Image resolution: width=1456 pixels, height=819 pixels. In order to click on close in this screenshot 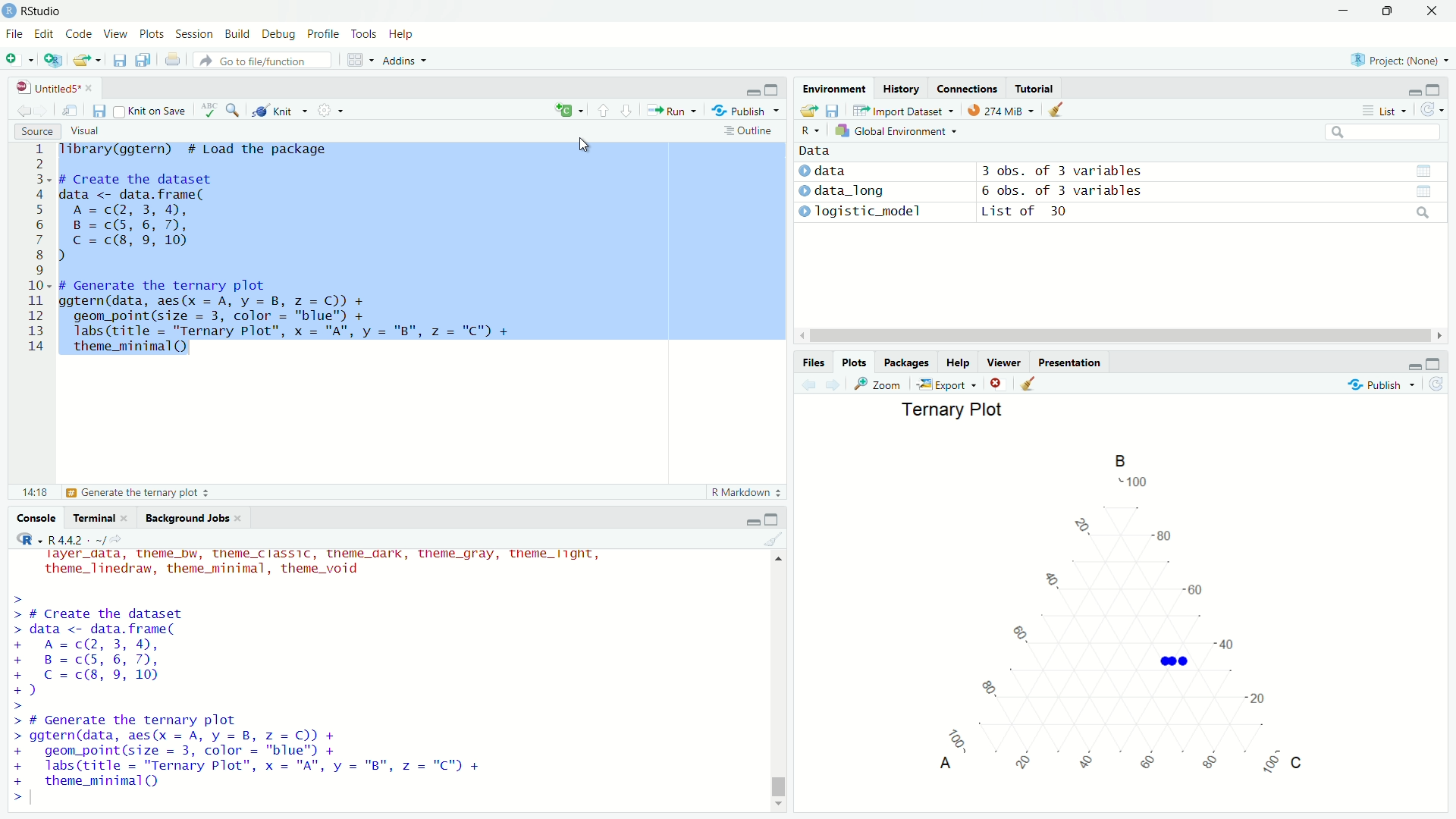, I will do `click(994, 384)`.